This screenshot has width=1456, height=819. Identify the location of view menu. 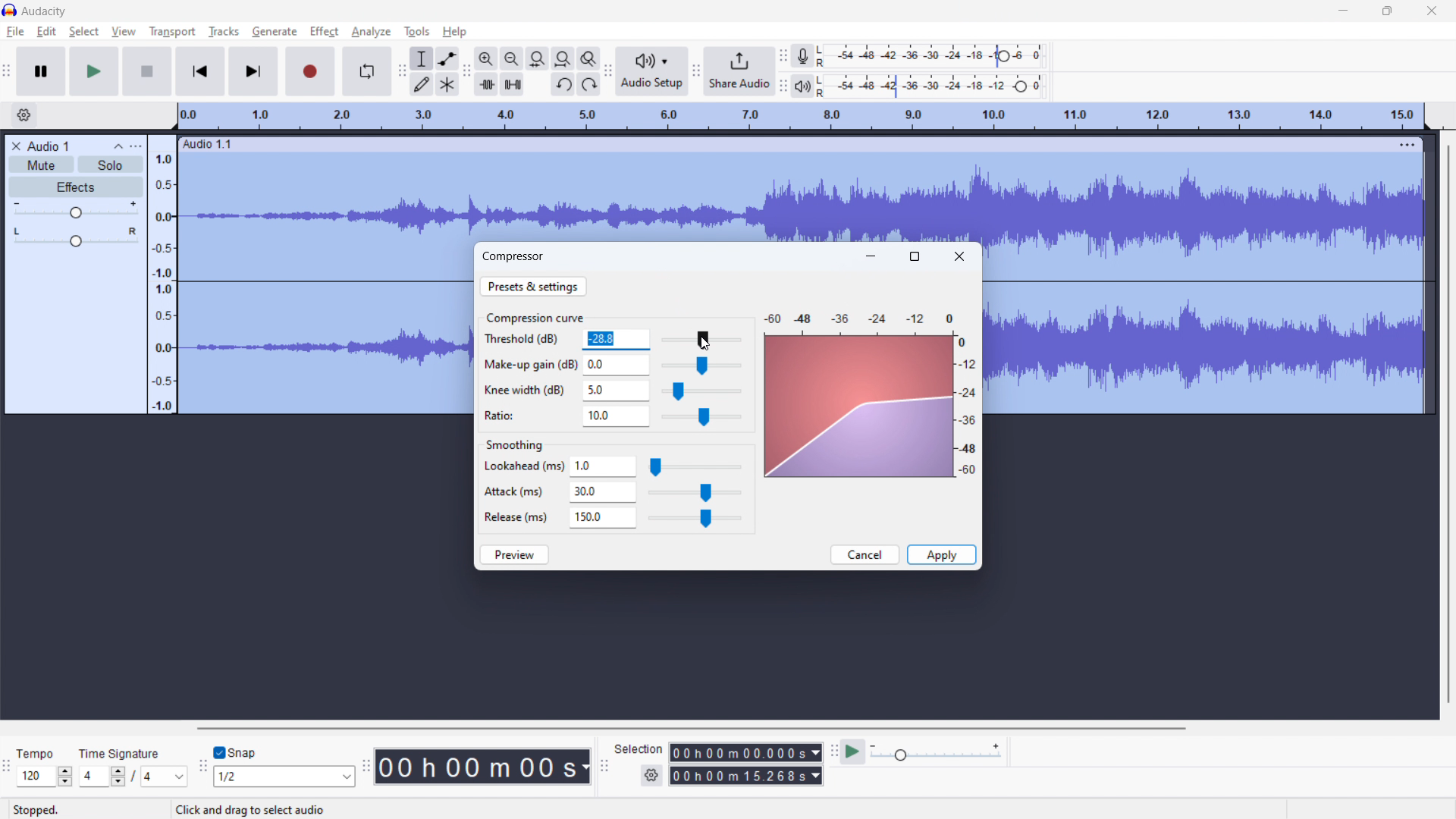
(135, 146).